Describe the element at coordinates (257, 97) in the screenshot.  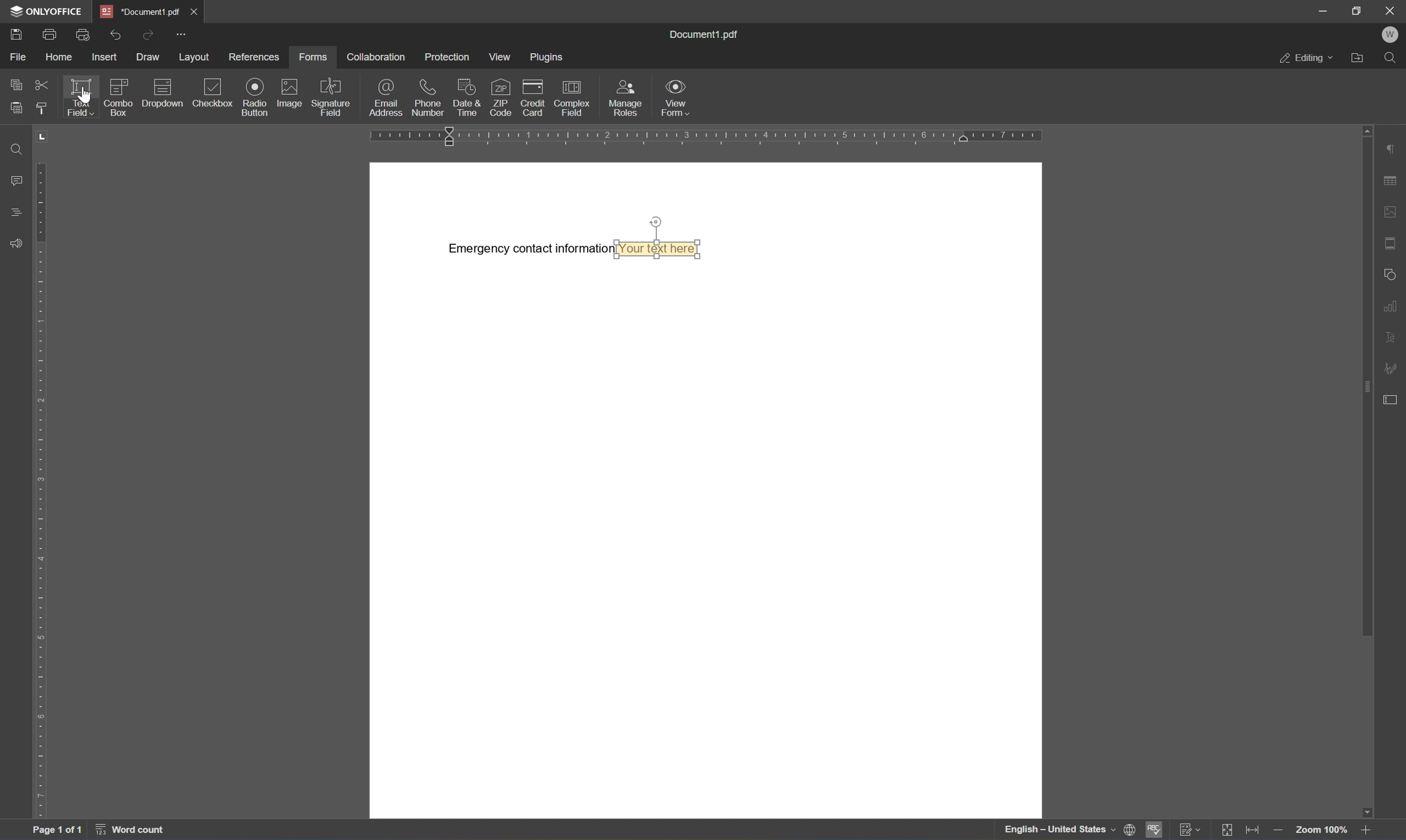
I see `radio button` at that location.